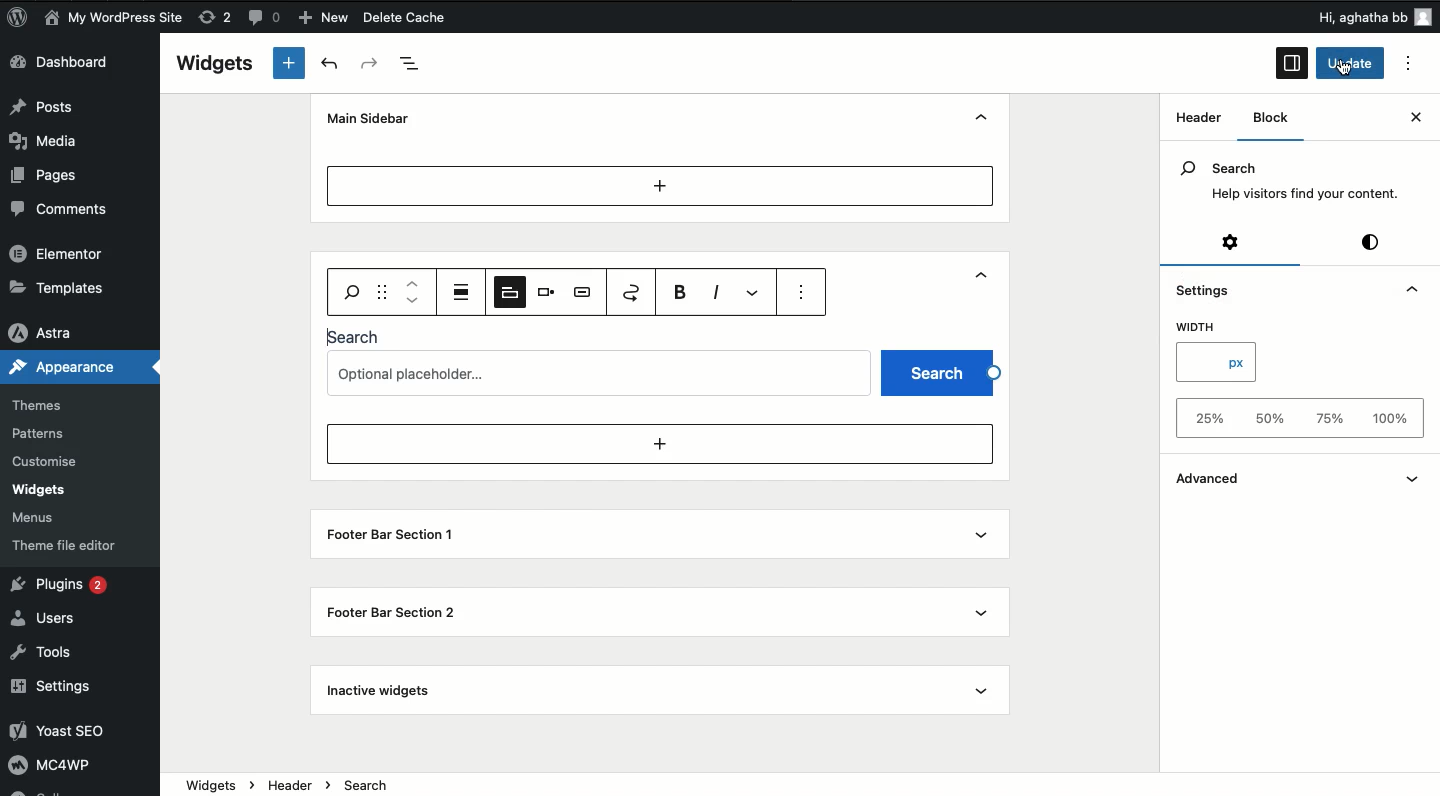  I want to click on More options, so click(756, 292).